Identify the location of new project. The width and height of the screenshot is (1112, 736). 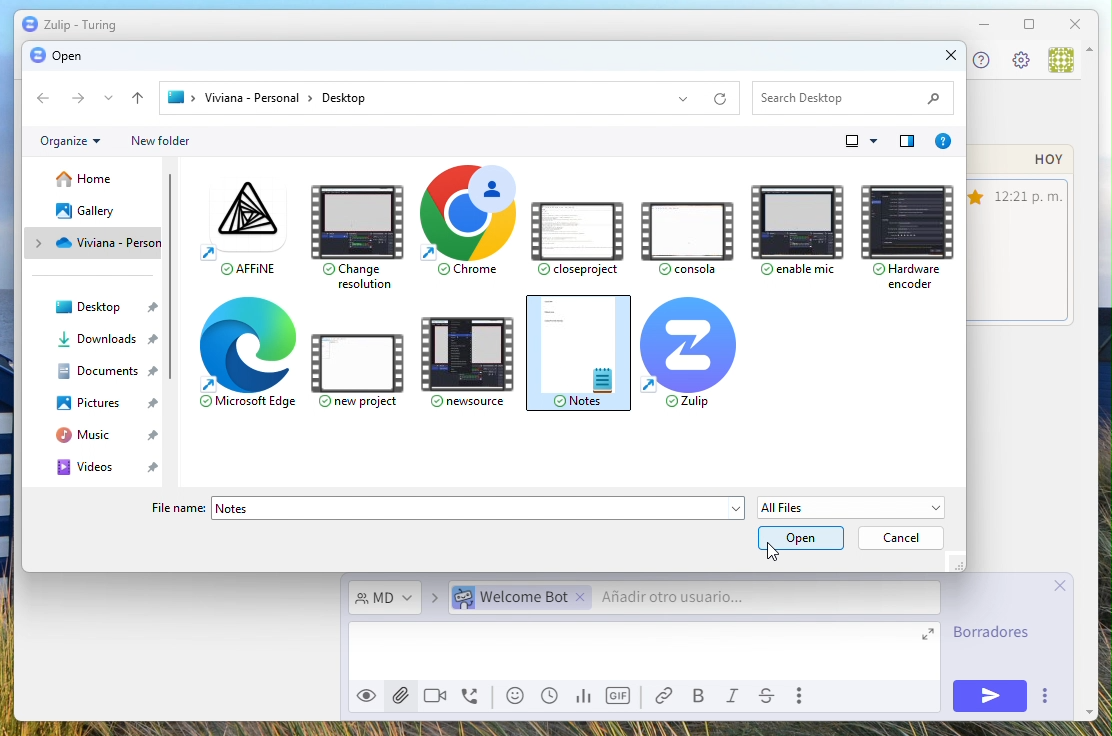
(363, 363).